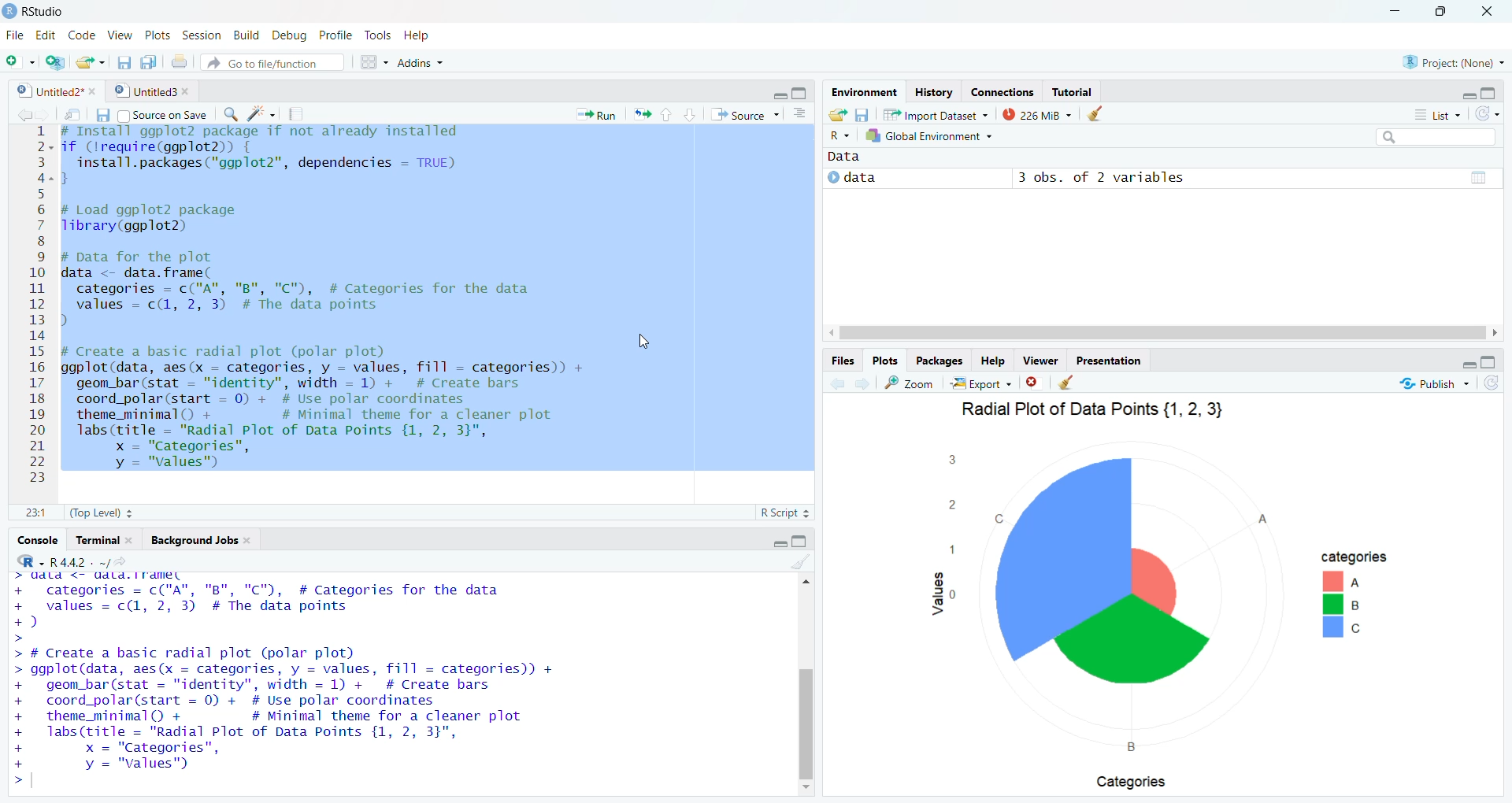  I want to click on search, so click(230, 114).